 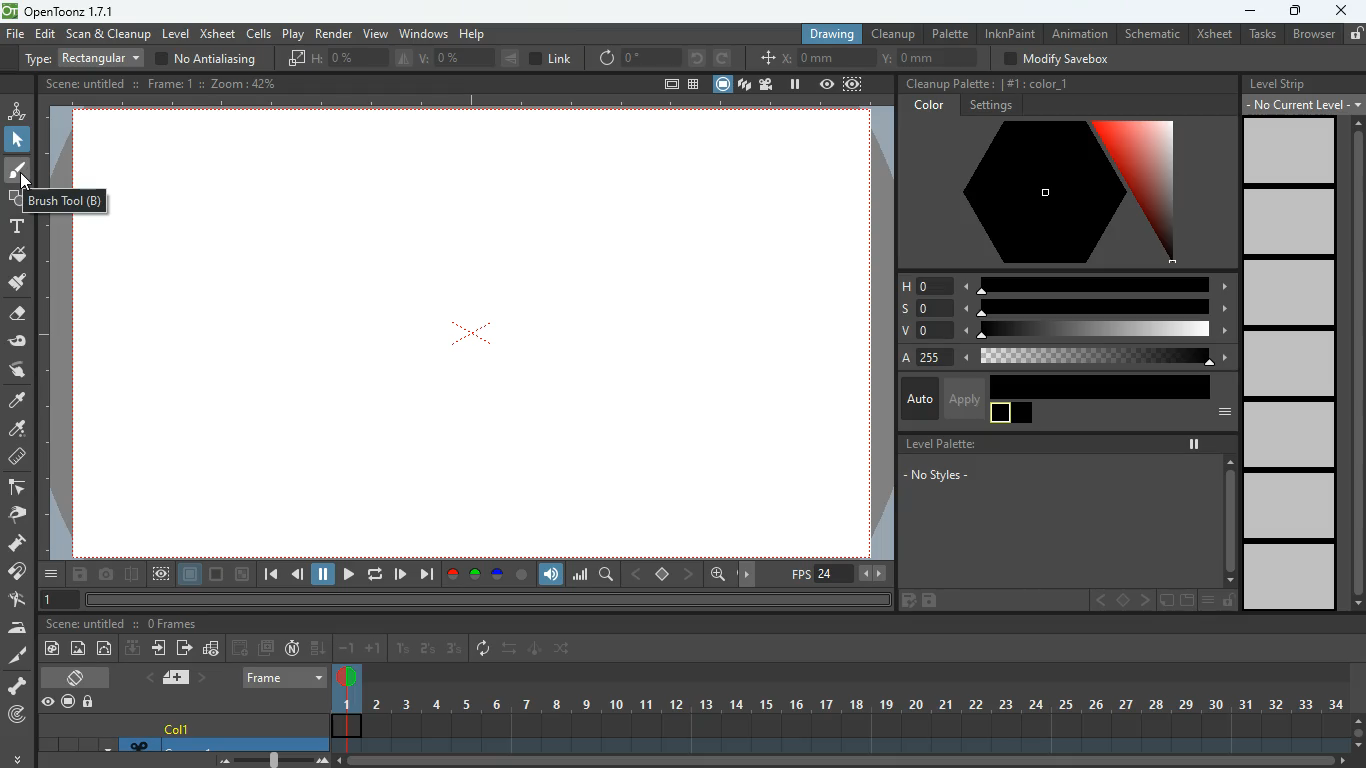 What do you see at coordinates (62, 12) in the screenshot?
I see `opentoonz` at bounding box center [62, 12].